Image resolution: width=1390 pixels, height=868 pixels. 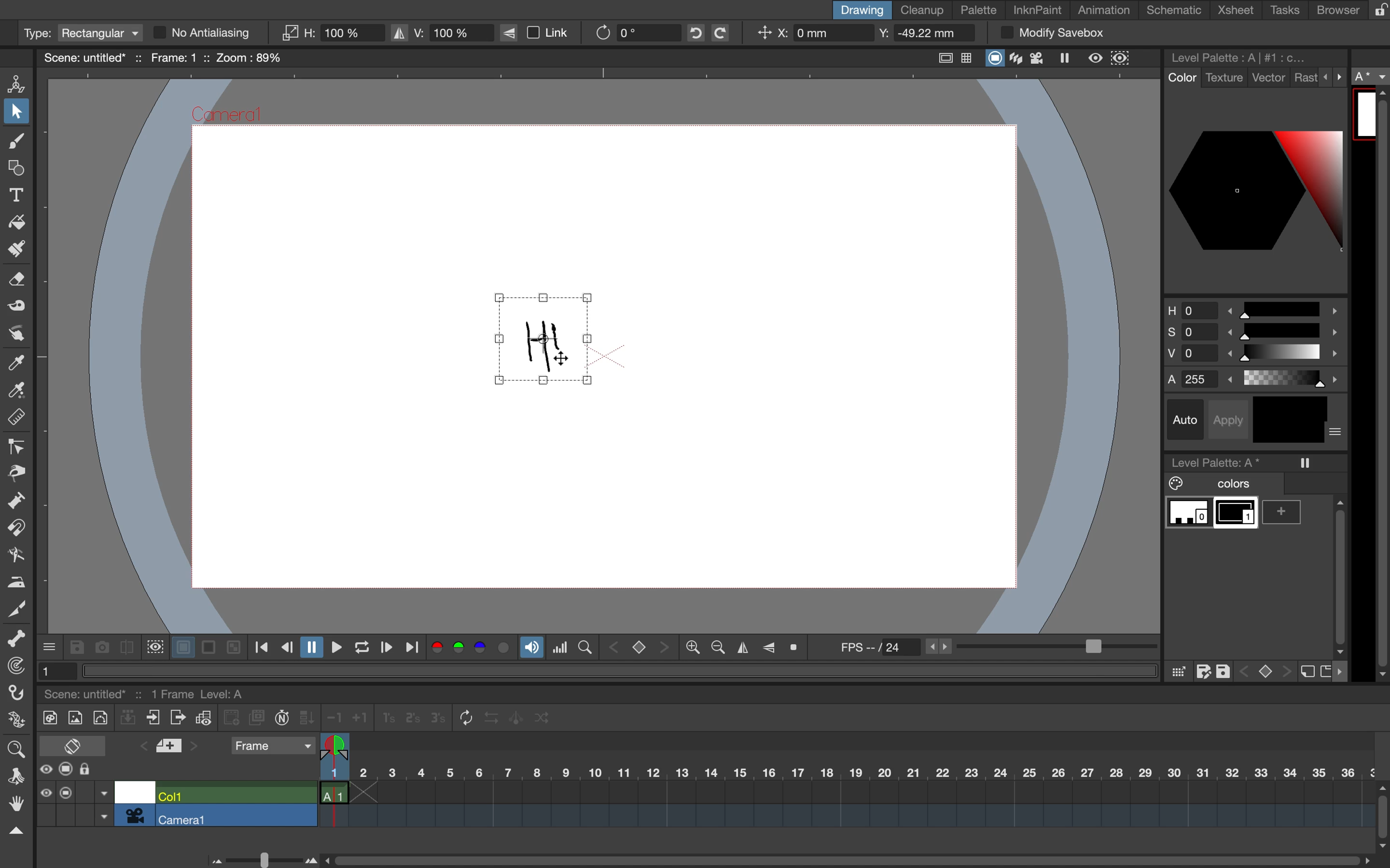 What do you see at coordinates (14, 143) in the screenshot?
I see `brush tool` at bounding box center [14, 143].